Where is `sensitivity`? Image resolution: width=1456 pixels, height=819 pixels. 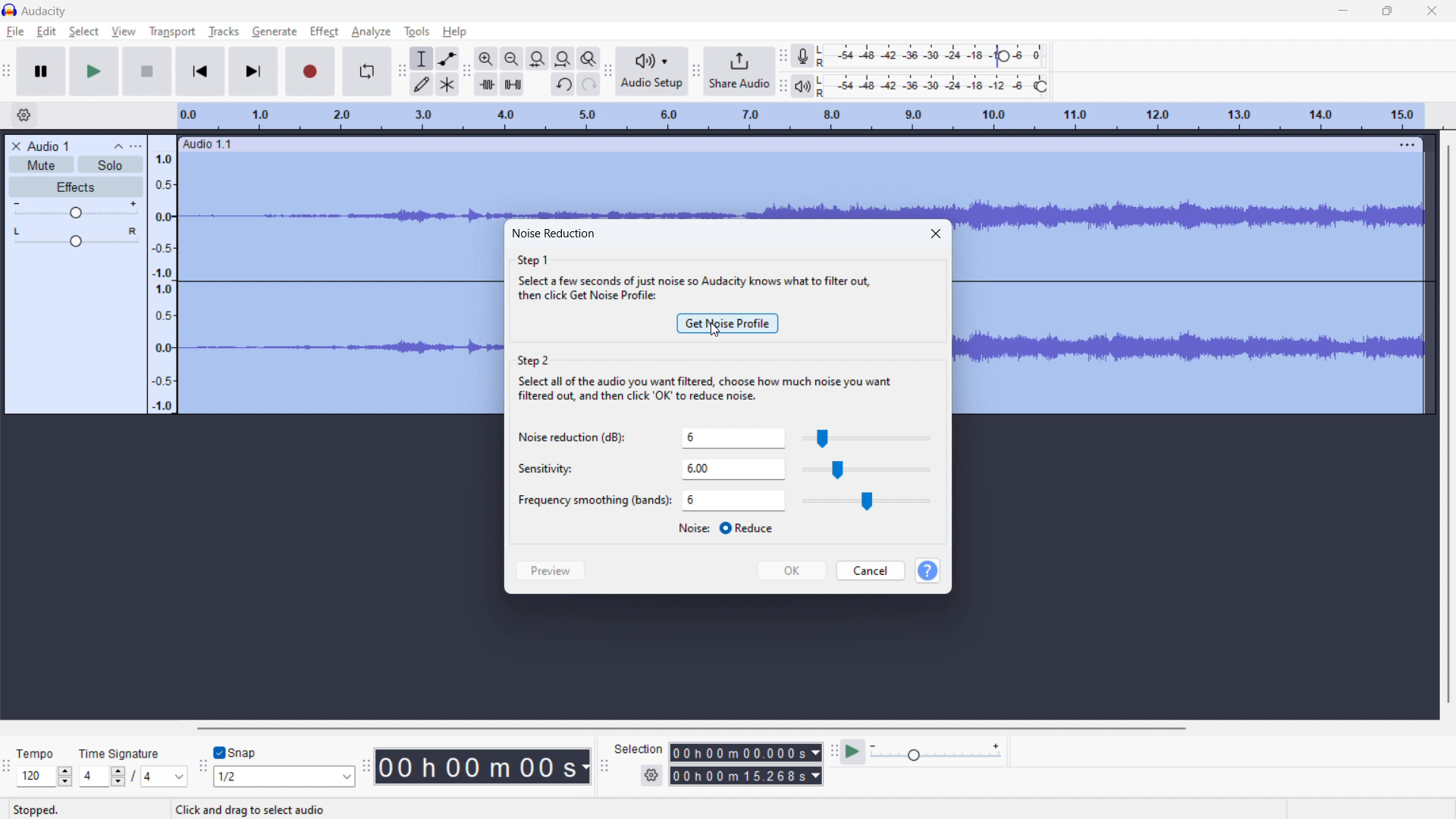
sensitivity is located at coordinates (541, 469).